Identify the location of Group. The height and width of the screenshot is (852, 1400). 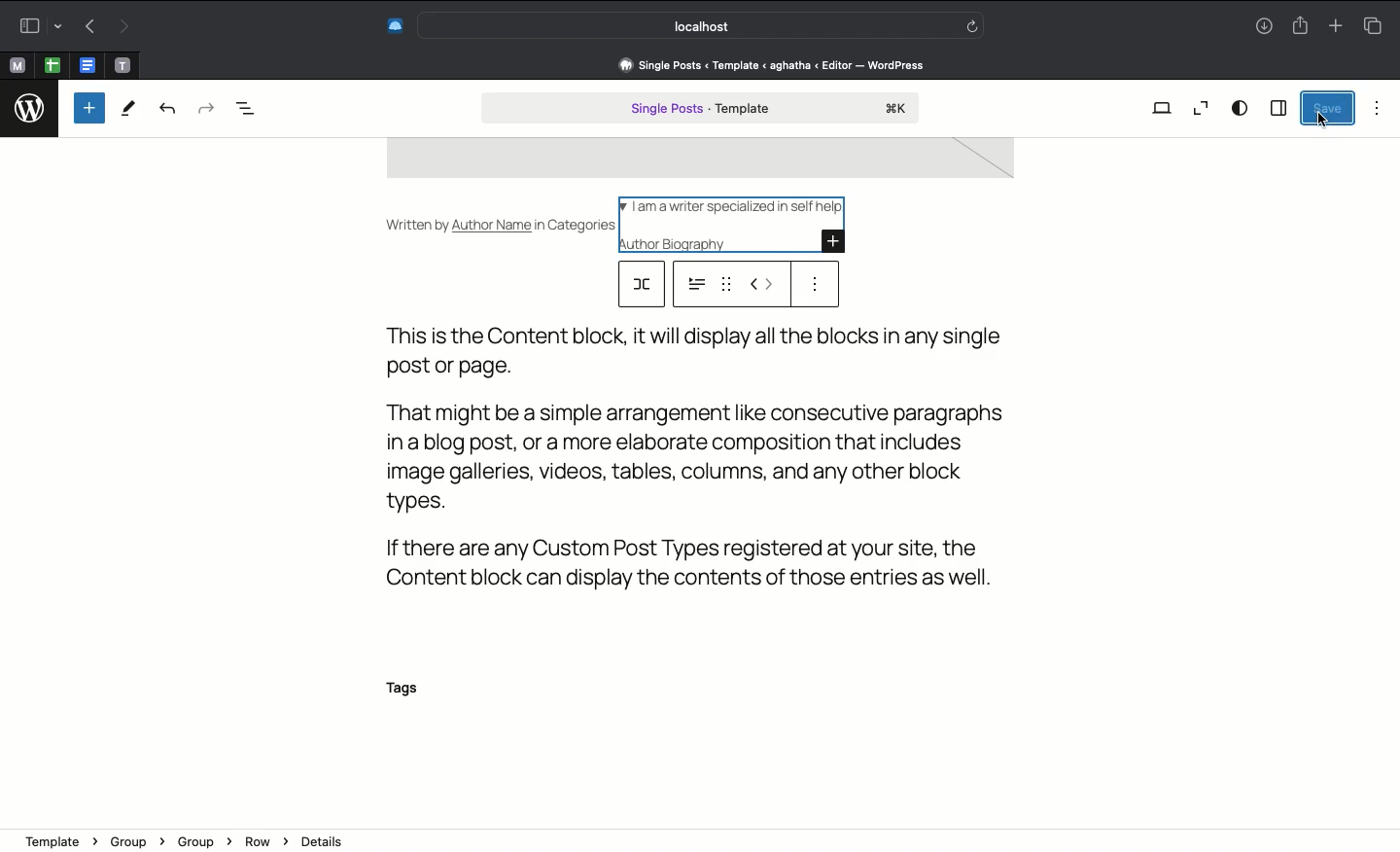
(134, 839).